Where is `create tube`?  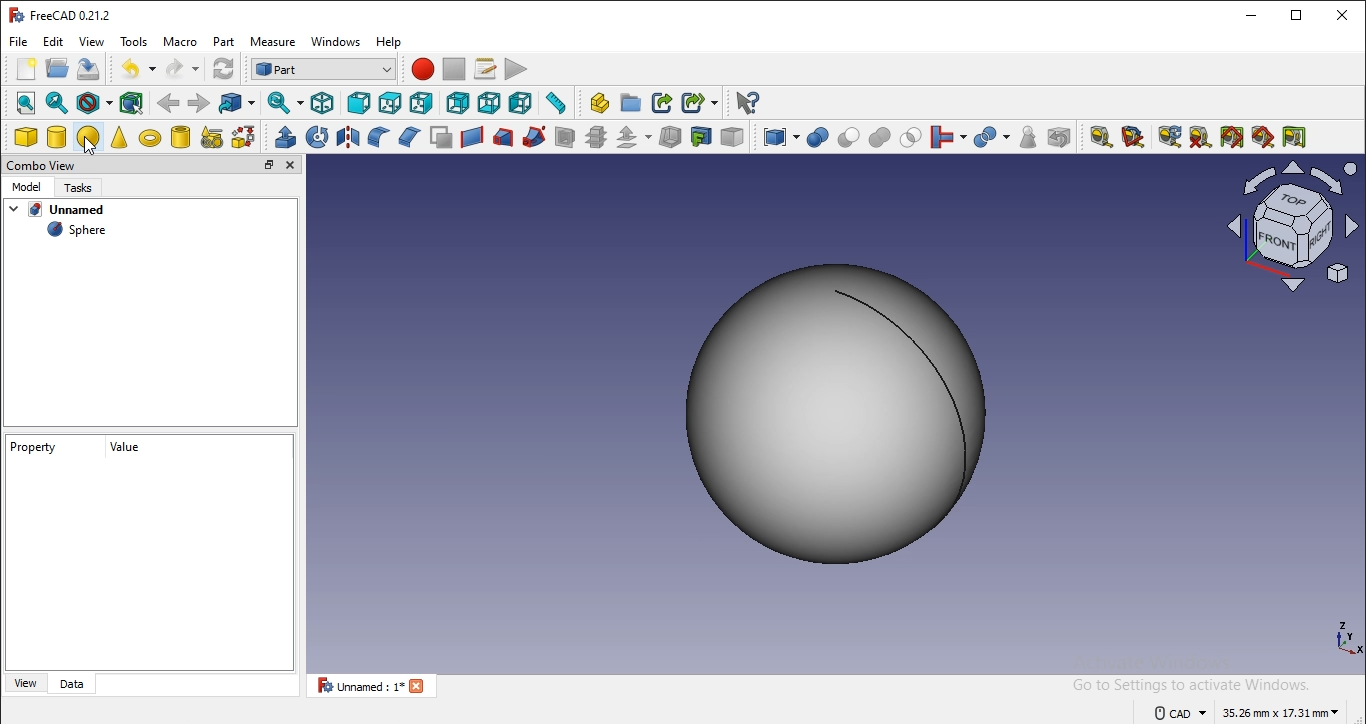 create tube is located at coordinates (180, 137).